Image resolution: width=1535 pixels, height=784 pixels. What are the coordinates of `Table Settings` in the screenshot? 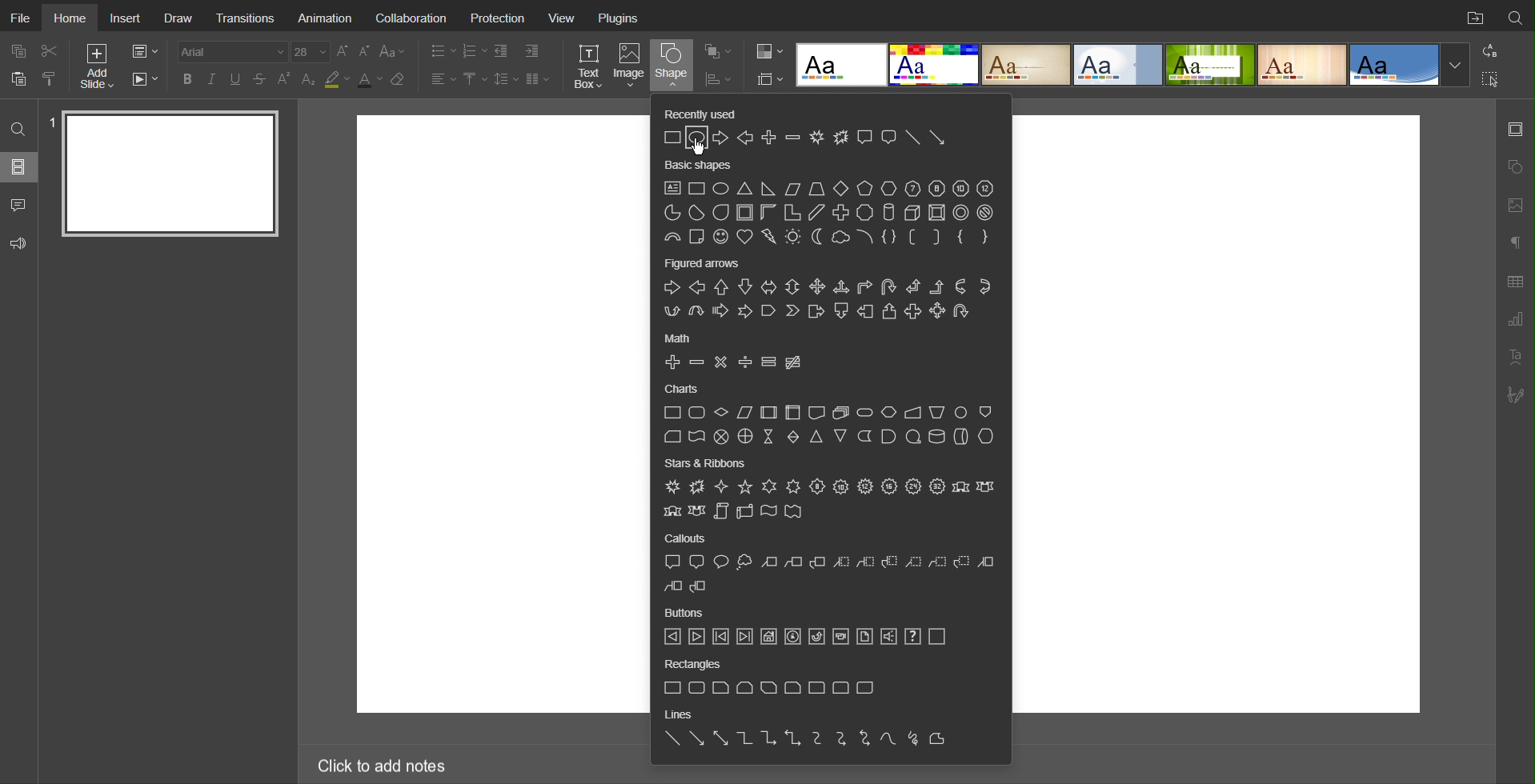 It's located at (1515, 280).